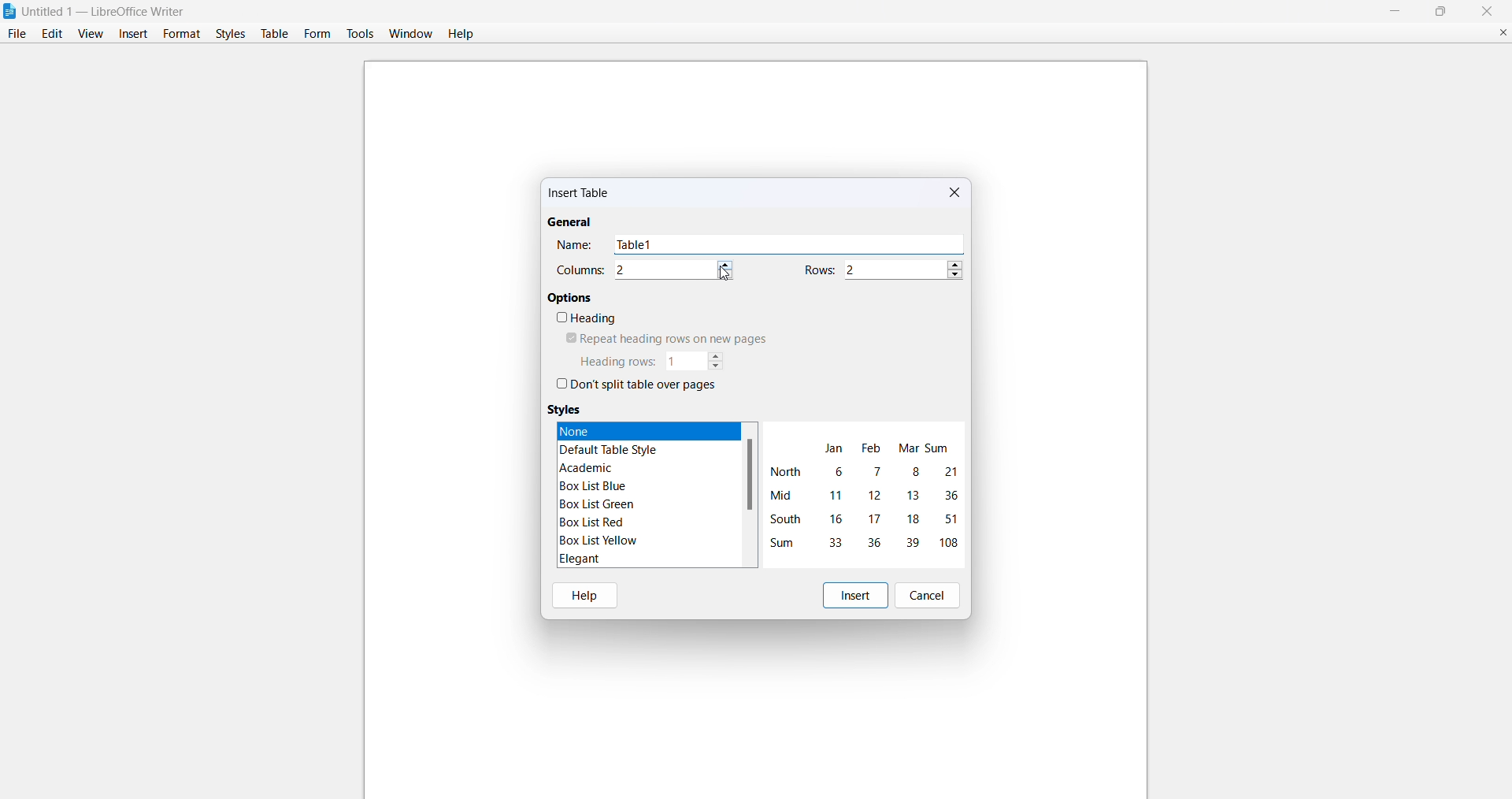 This screenshot has width=1512, height=799. Describe the element at coordinates (361, 33) in the screenshot. I see `tools` at that location.